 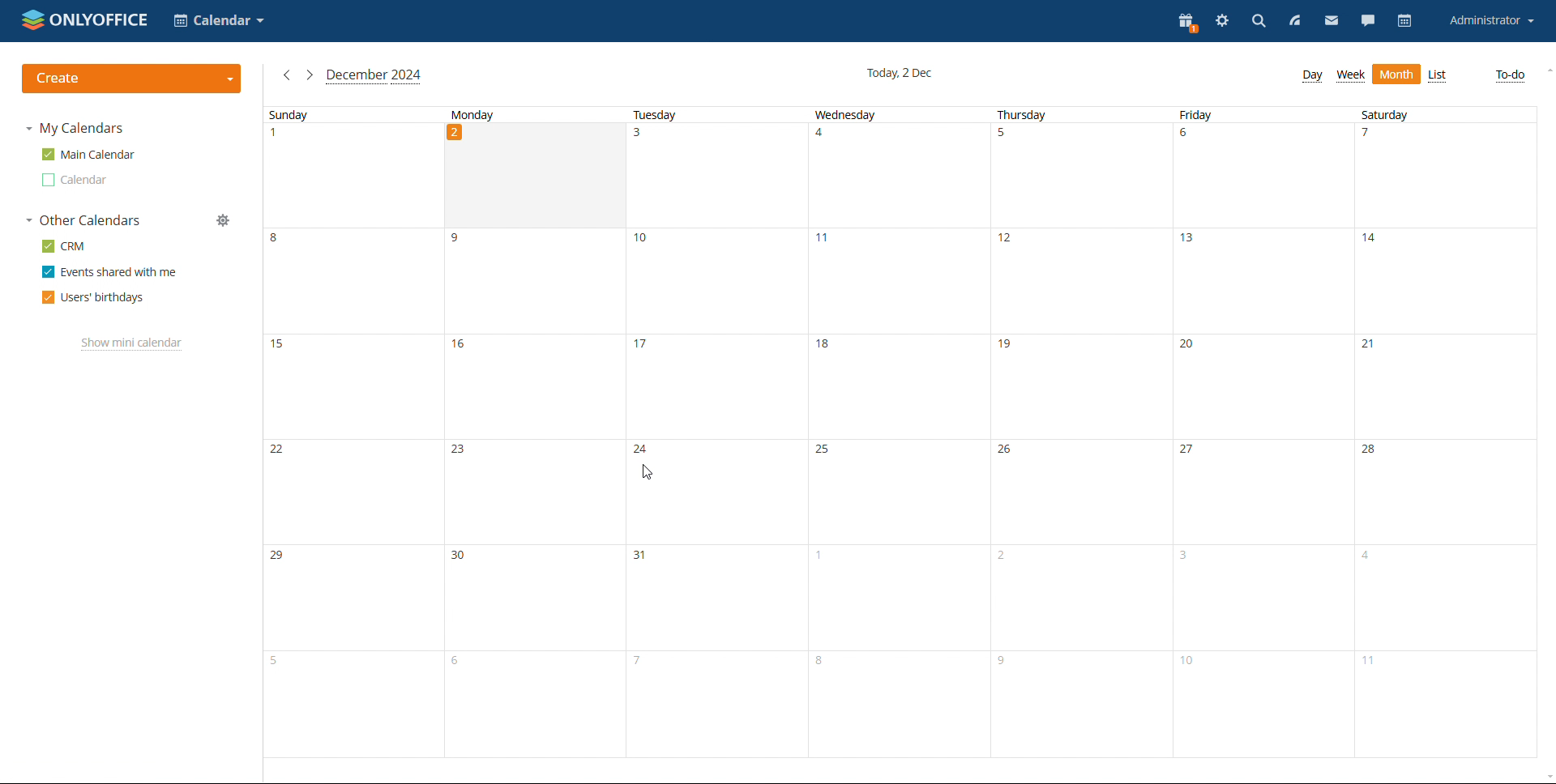 I want to click on 2, so click(x=455, y=133).